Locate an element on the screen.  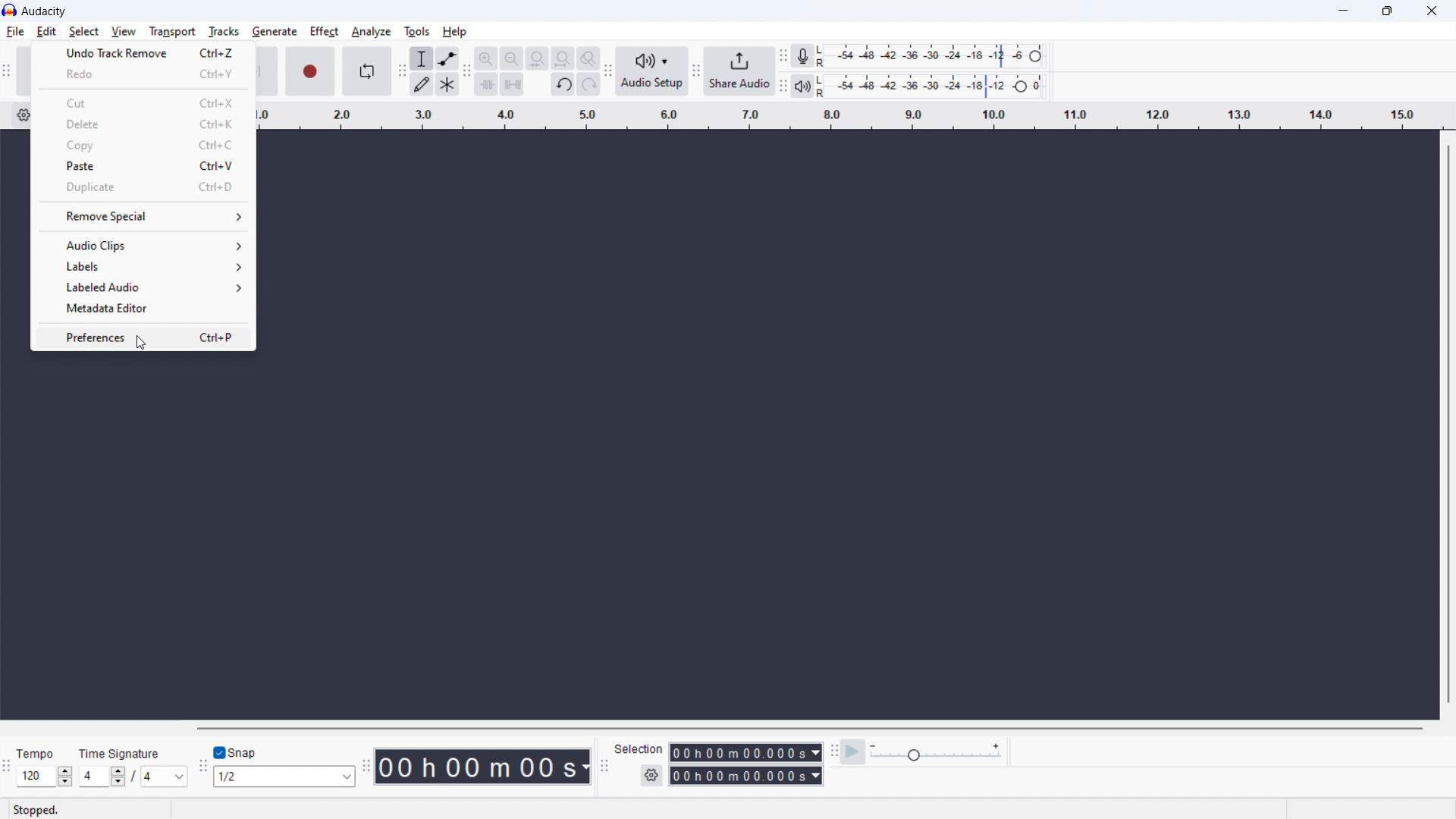
skip to end is located at coordinates (267, 71).